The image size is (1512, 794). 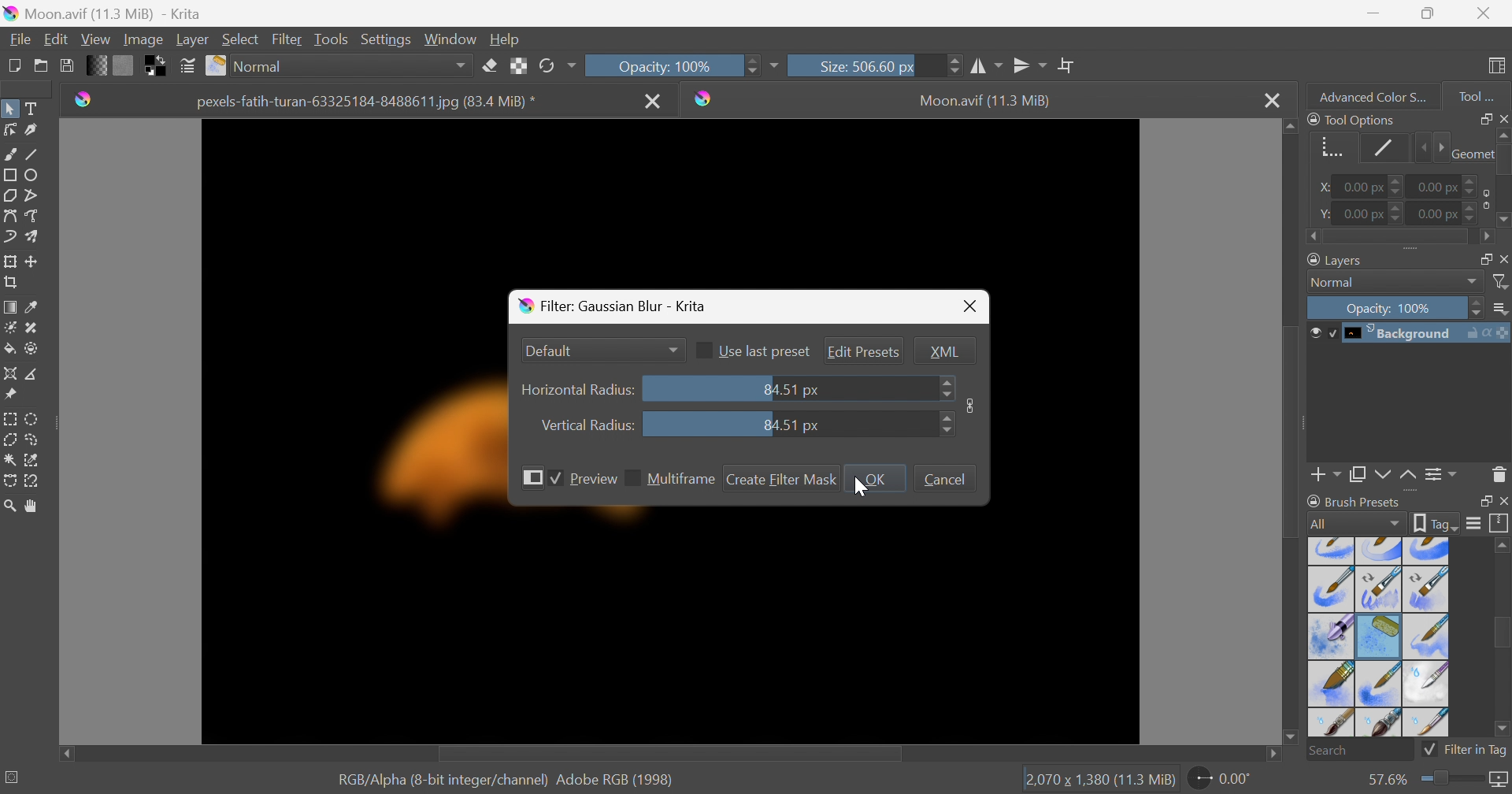 I want to click on Patch tool, so click(x=31, y=328).